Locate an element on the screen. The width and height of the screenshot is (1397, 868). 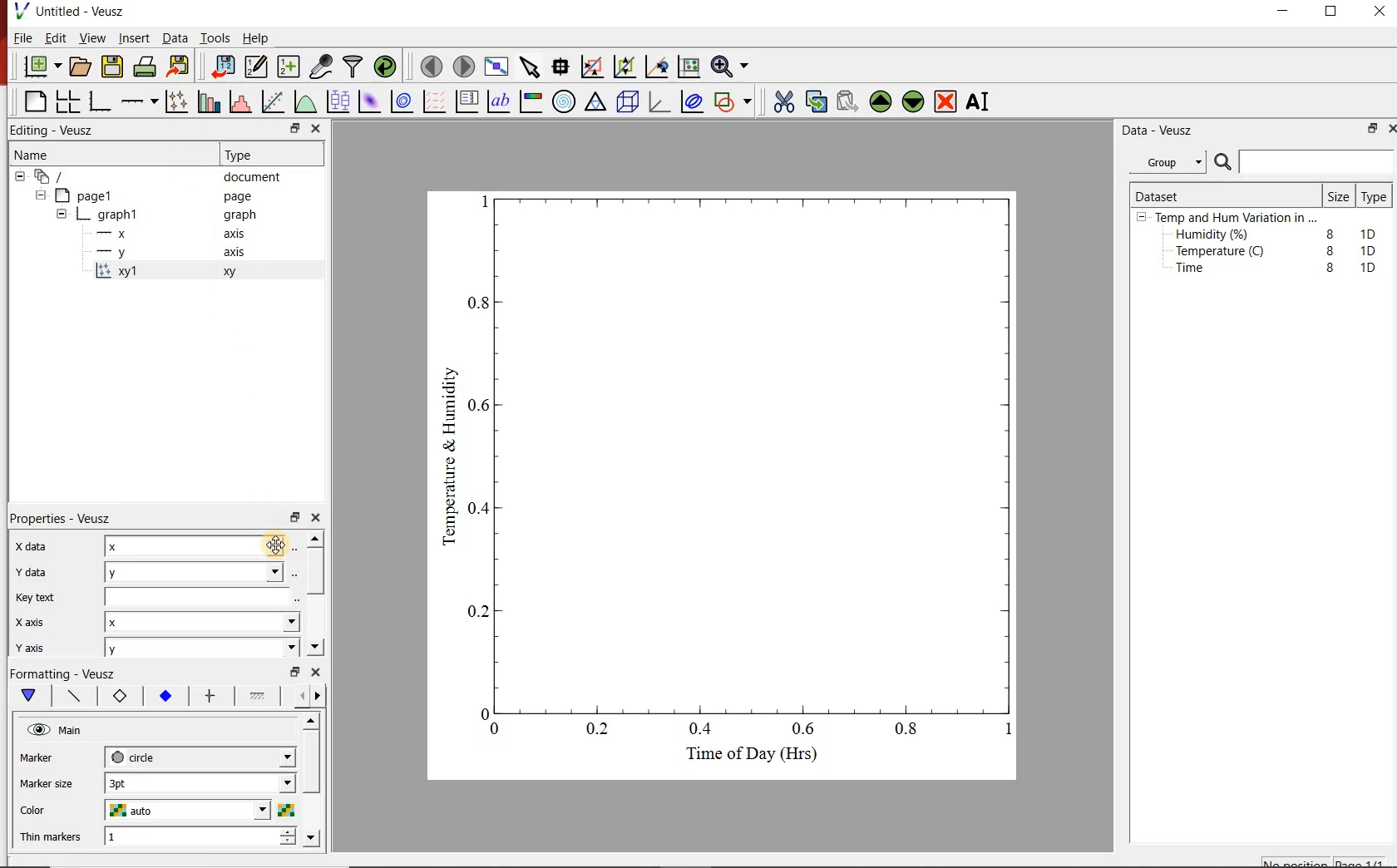
increase is located at coordinates (287, 833).